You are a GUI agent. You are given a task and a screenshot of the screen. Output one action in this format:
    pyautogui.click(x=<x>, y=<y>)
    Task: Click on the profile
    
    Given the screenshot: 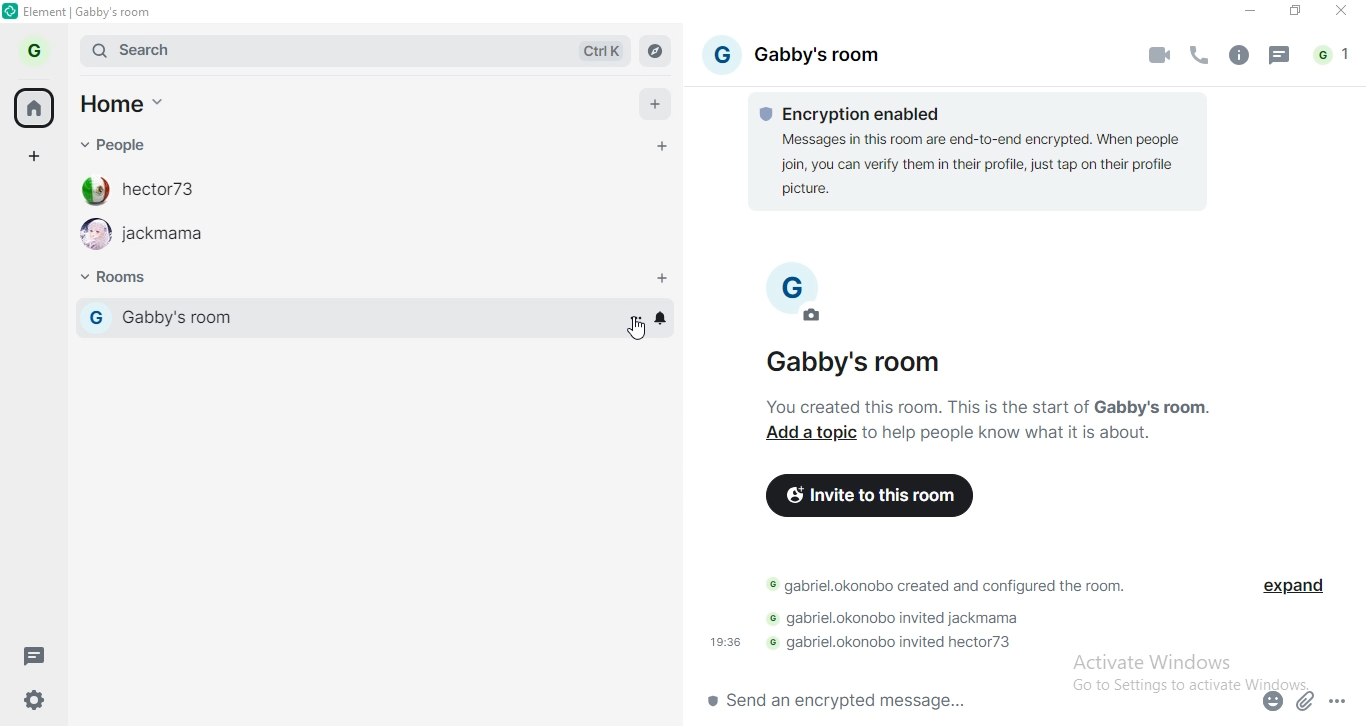 What is the action you would take?
    pyautogui.click(x=35, y=48)
    